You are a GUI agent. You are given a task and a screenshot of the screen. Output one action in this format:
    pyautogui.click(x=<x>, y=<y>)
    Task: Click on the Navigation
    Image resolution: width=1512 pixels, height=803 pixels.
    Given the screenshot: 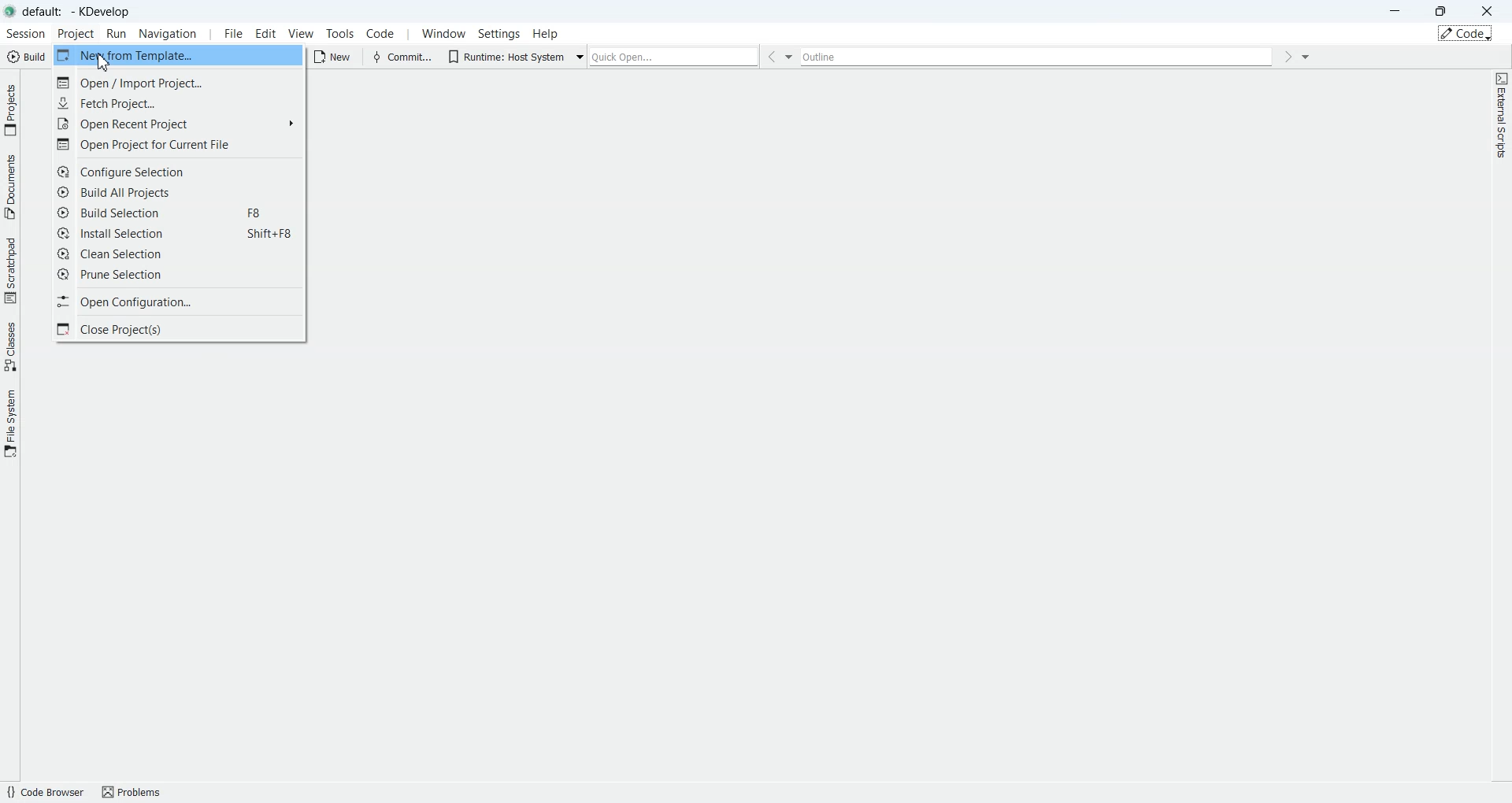 What is the action you would take?
    pyautogui.click(x=170, y=34)
    